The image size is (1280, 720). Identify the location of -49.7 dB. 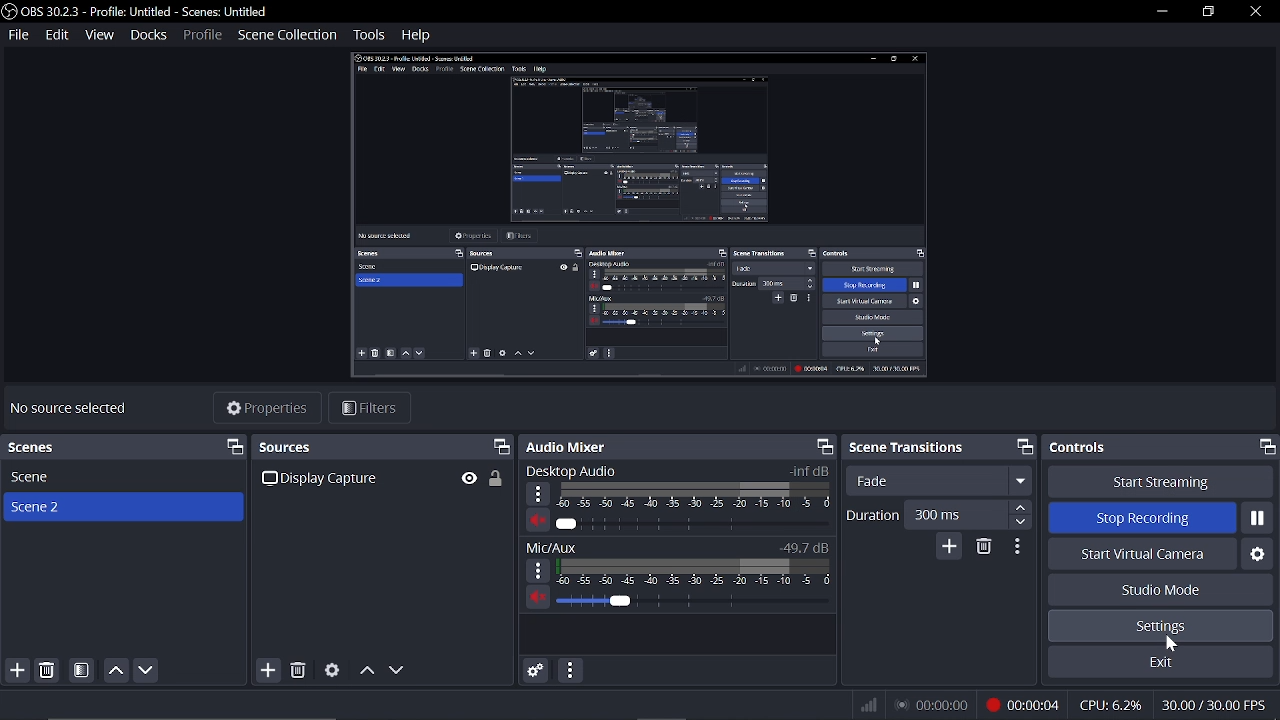
(802, 546).